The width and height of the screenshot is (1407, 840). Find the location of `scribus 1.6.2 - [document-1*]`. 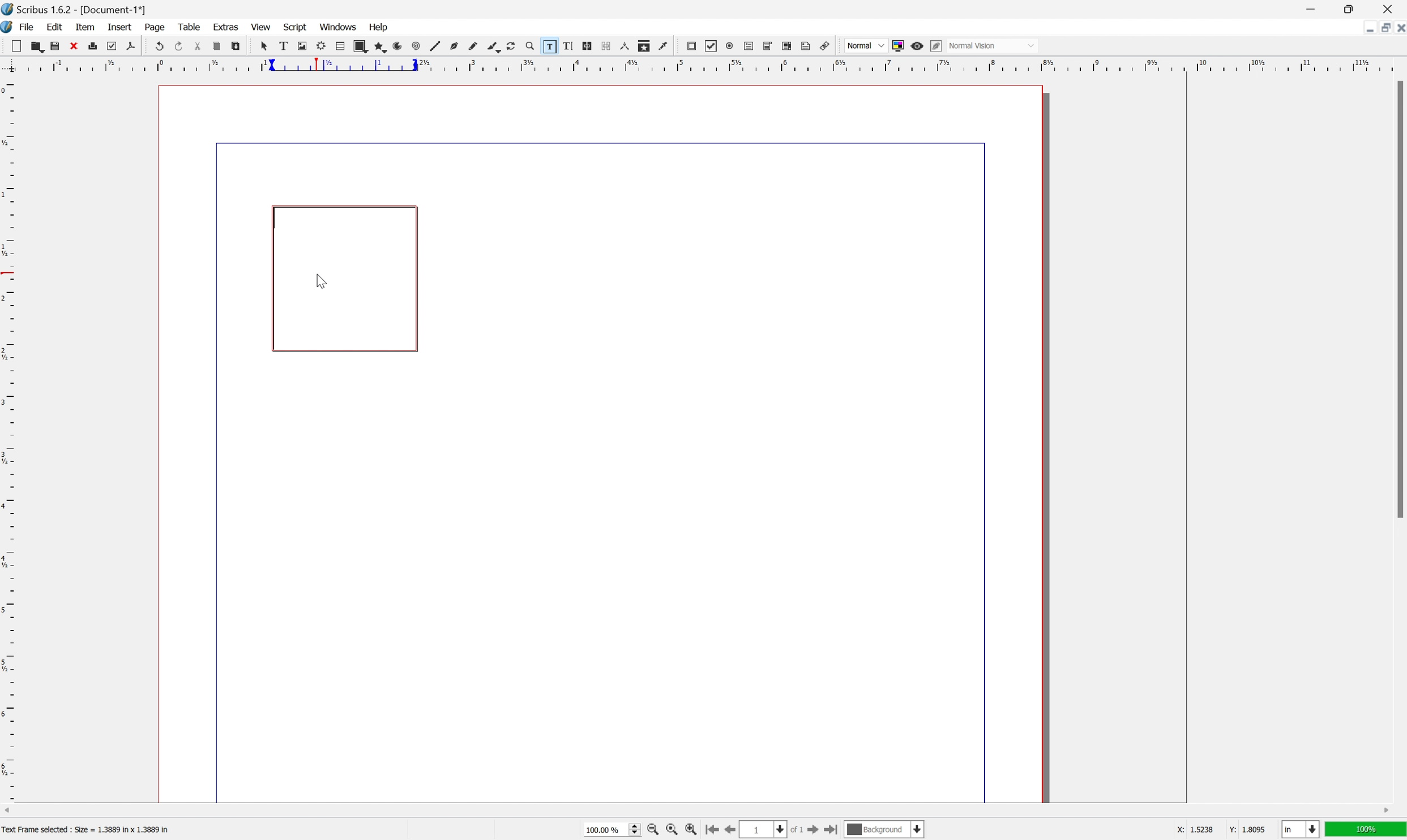

scribus 1.6.2 - [document-1*] is located at coordinates (74, 8).